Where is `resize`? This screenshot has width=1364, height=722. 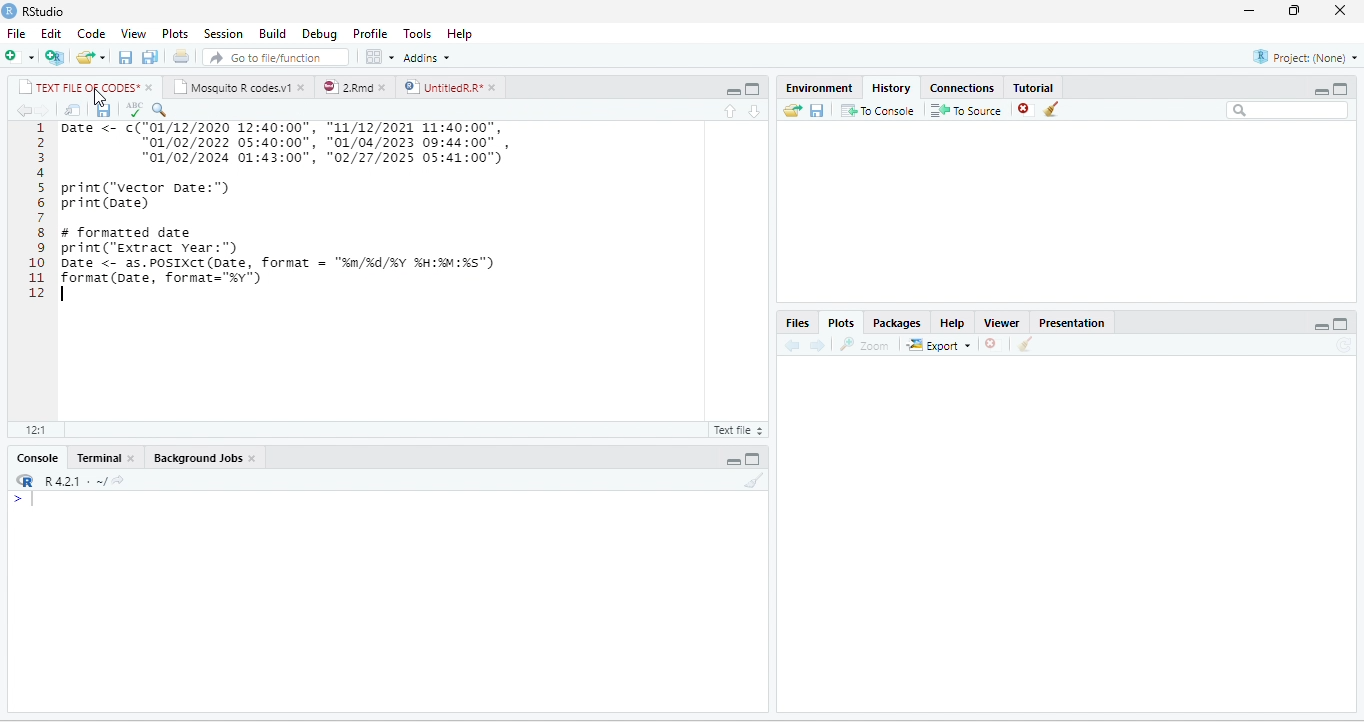
resize is located at coordinates (1294, 11).